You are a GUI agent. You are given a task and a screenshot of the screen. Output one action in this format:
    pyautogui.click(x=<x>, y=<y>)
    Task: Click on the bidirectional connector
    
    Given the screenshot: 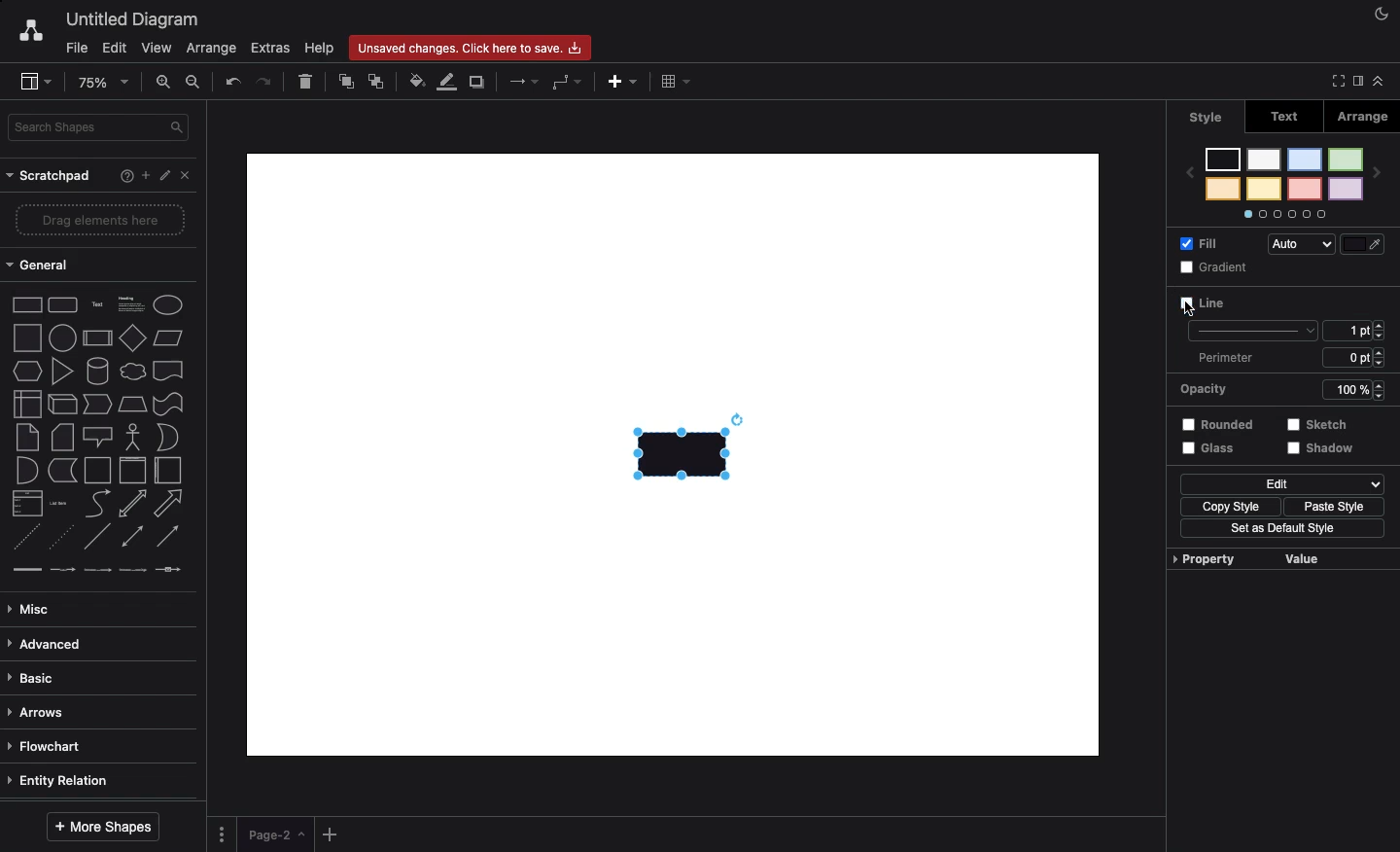 What is the action you would take?
    pyautogui.click(x=132, y=534)
    